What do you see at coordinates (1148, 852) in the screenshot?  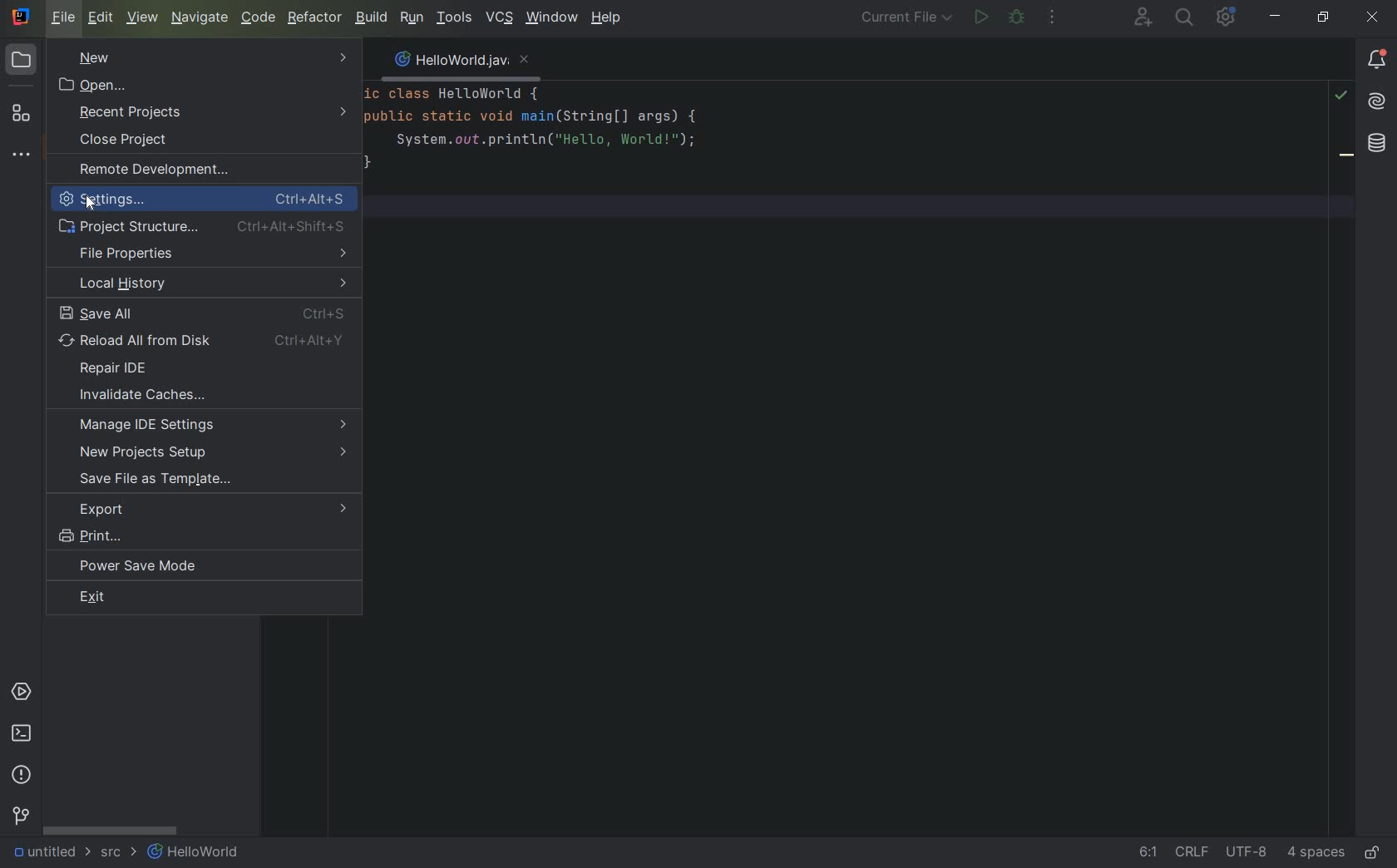 I see `go to line` at bounding box center [1148, 852].